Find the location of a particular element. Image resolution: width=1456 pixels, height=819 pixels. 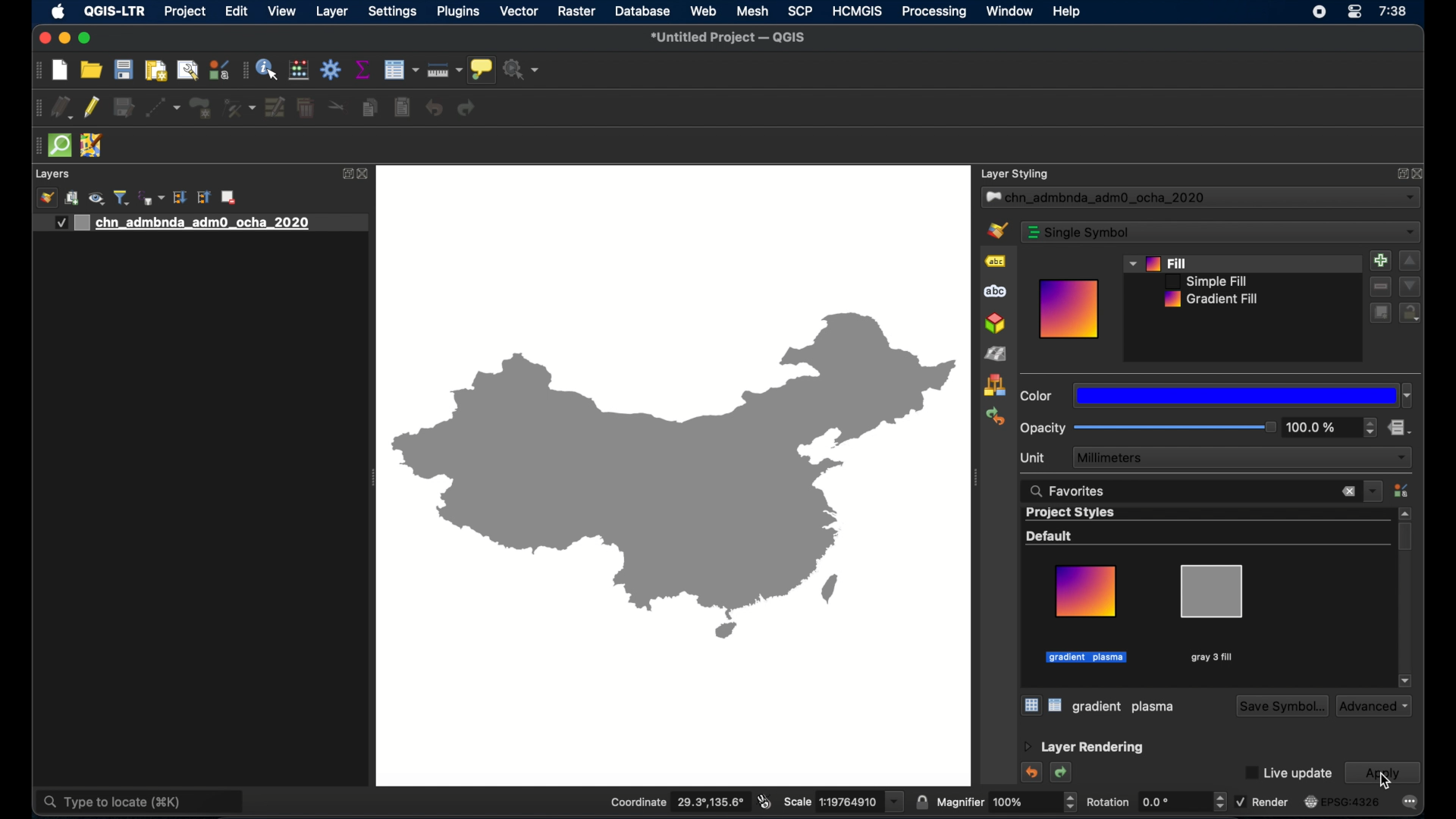

save edits is located at coordinates (124, 108).